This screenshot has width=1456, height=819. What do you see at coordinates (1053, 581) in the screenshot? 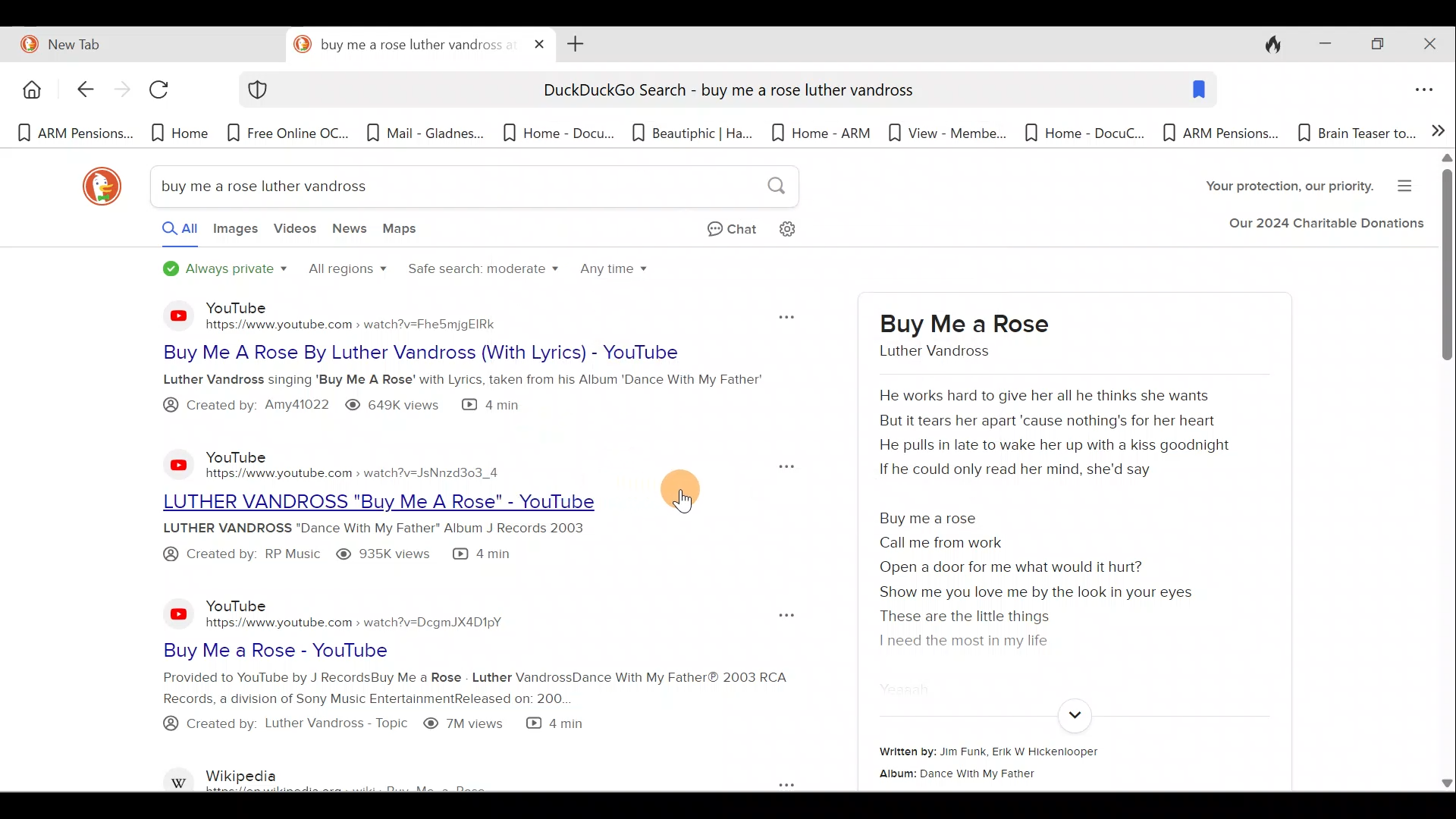
I see `Buy me a rose

Call me from work

Open a door for me what would it hurt?

Show me you love me by the look in your eyes
ad These are the little things

| need the most in my life` at bounding box center [1053, 581].